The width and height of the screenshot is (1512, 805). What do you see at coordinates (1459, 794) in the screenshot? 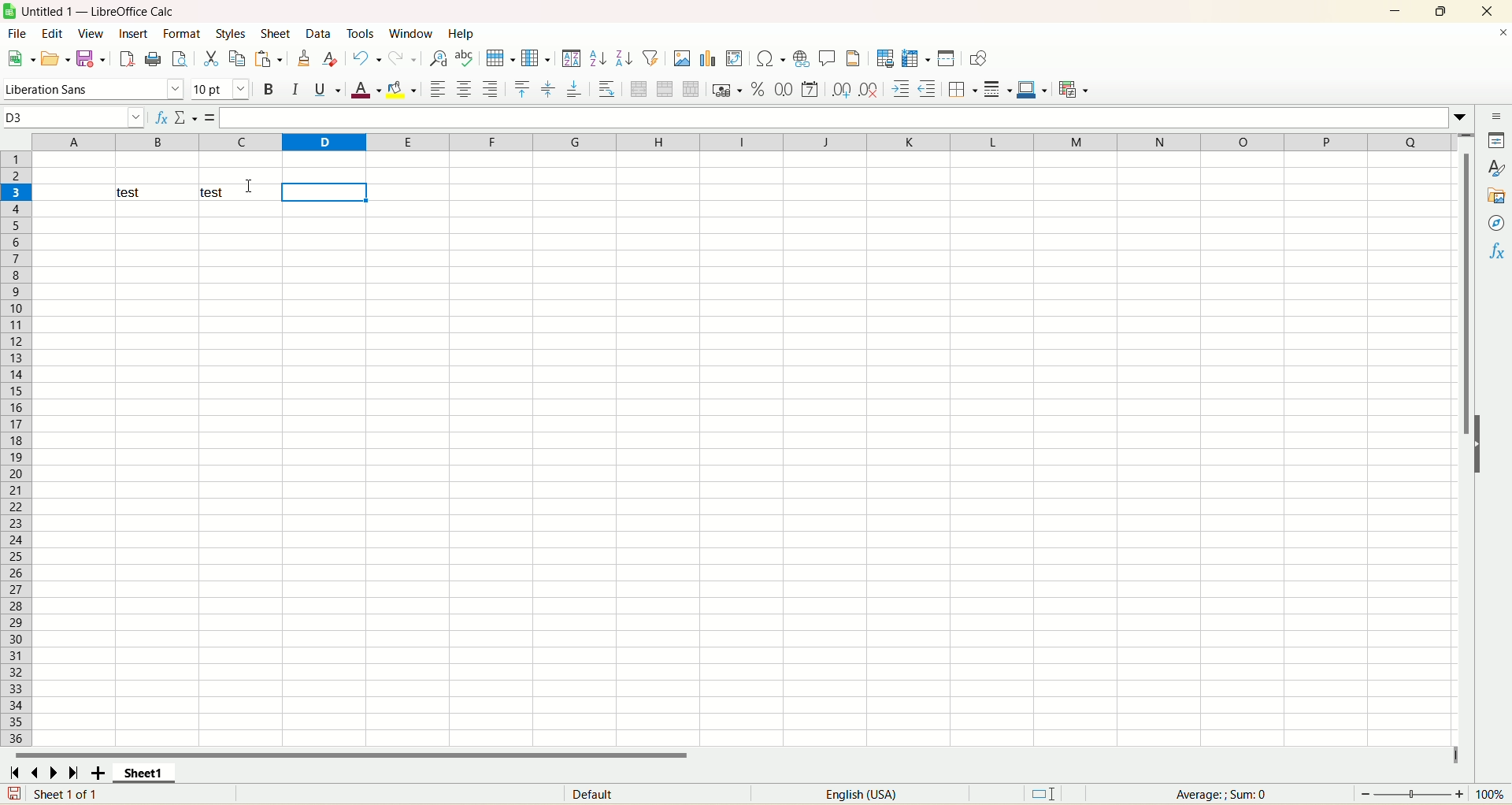
I see `Zoom in` at bounding box center [1459, 794].